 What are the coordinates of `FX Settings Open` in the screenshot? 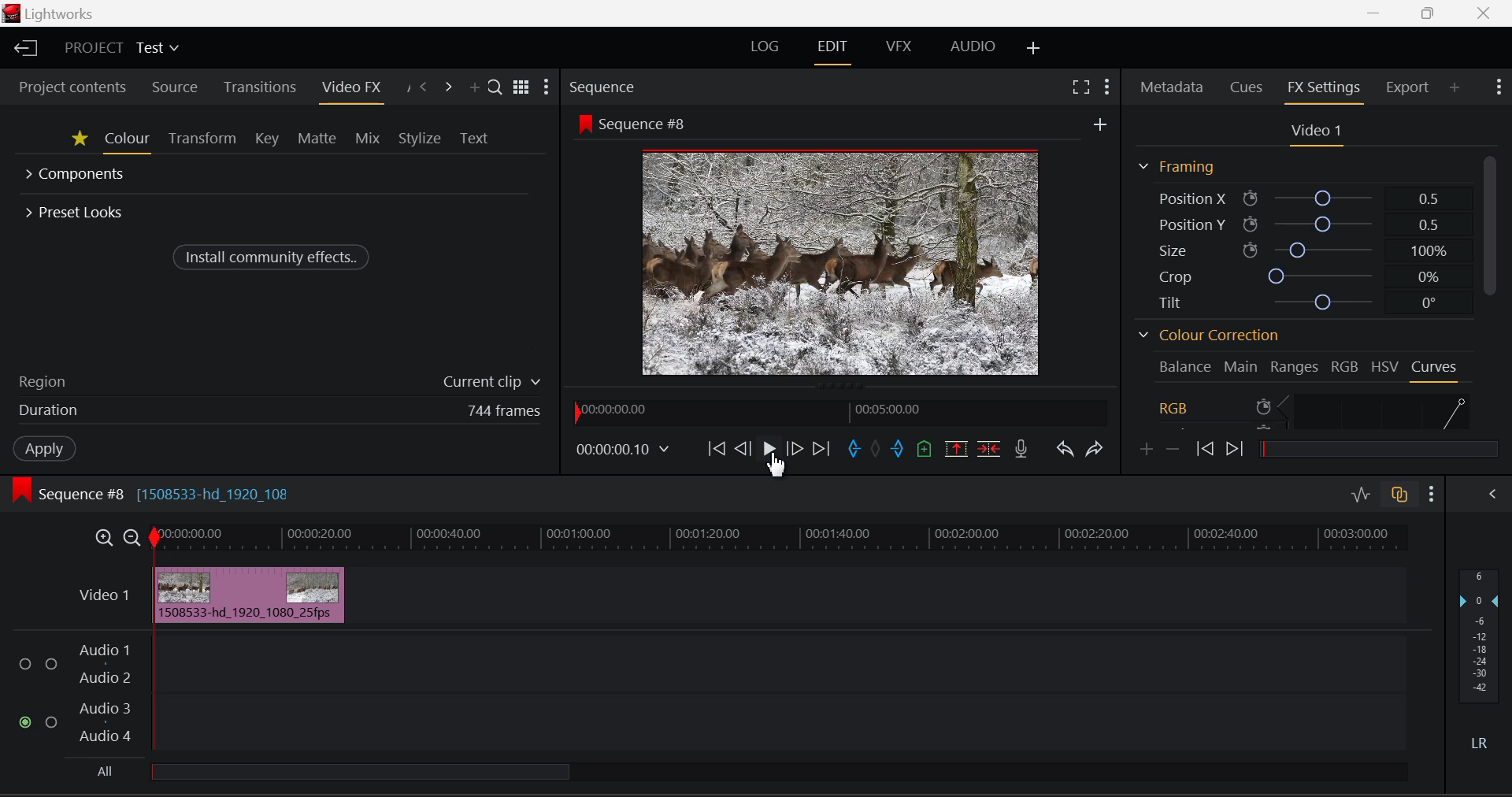 It's located at (1324, 89).